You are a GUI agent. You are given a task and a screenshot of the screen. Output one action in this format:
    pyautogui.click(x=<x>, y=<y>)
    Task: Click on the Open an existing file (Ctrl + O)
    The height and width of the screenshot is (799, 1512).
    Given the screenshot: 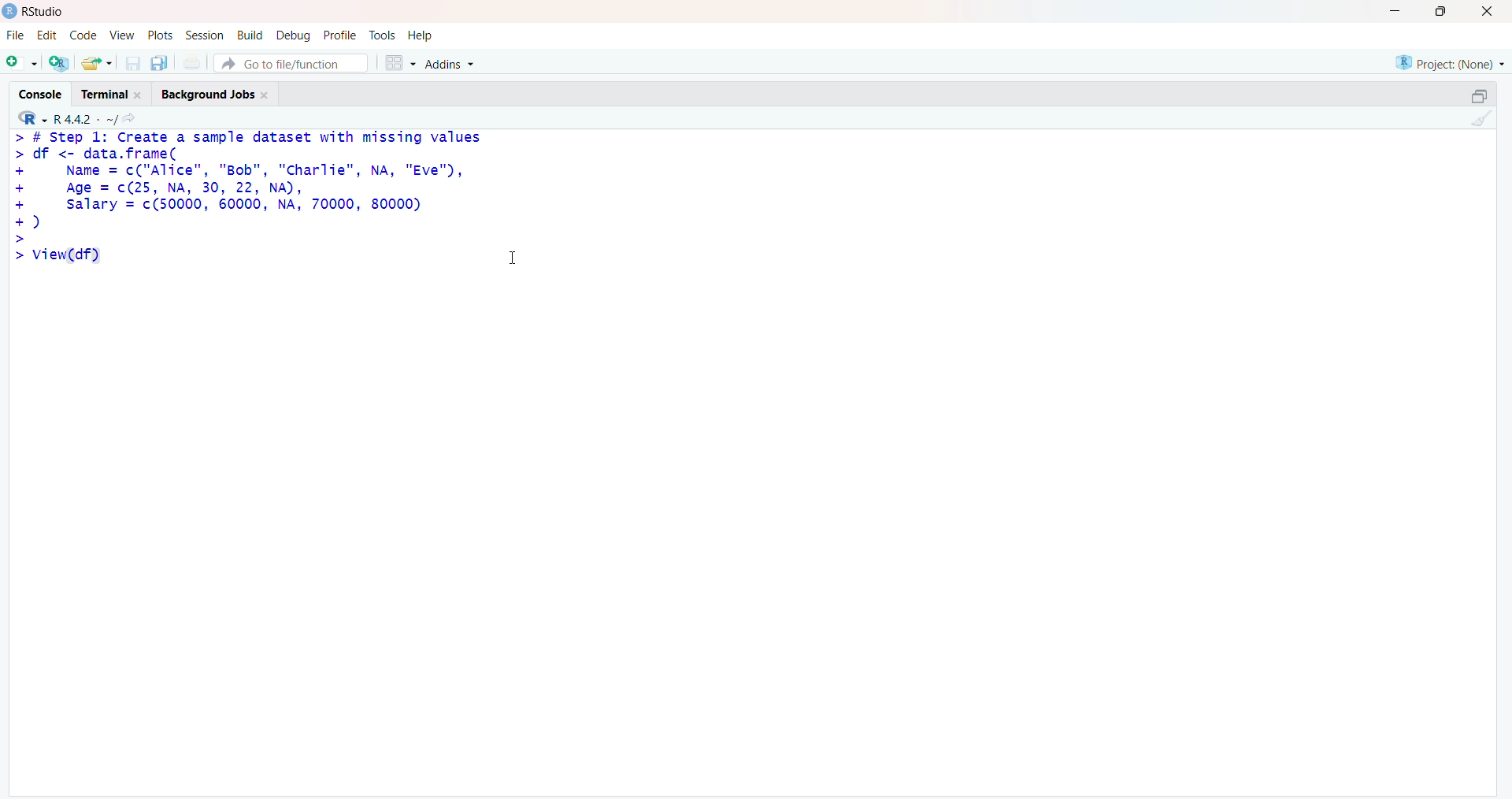 What is the action you would take?
    pyautogui.click(x=94, y=63)
    